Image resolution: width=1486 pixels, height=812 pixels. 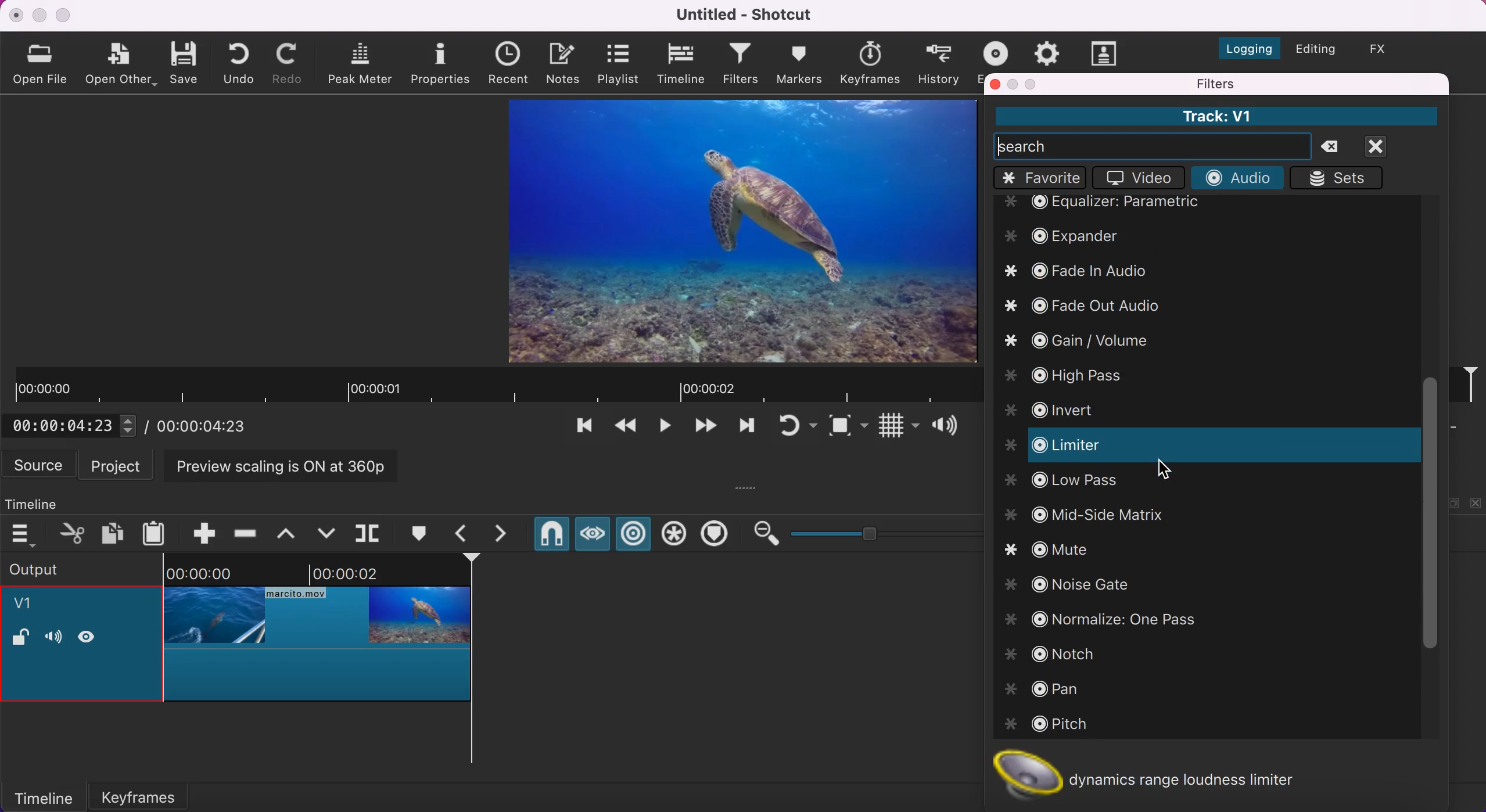 I want to click on overwrite, so click(x=326, y=532).